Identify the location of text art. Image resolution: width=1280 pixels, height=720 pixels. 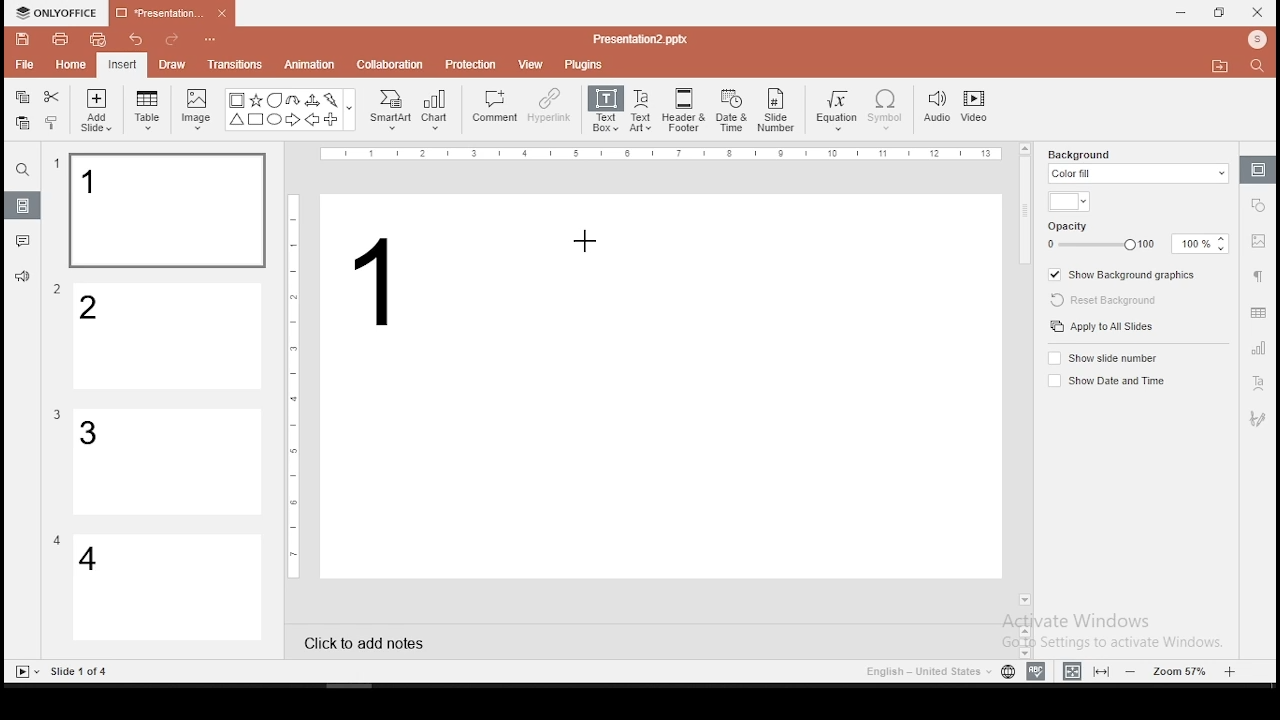
(641, 109).